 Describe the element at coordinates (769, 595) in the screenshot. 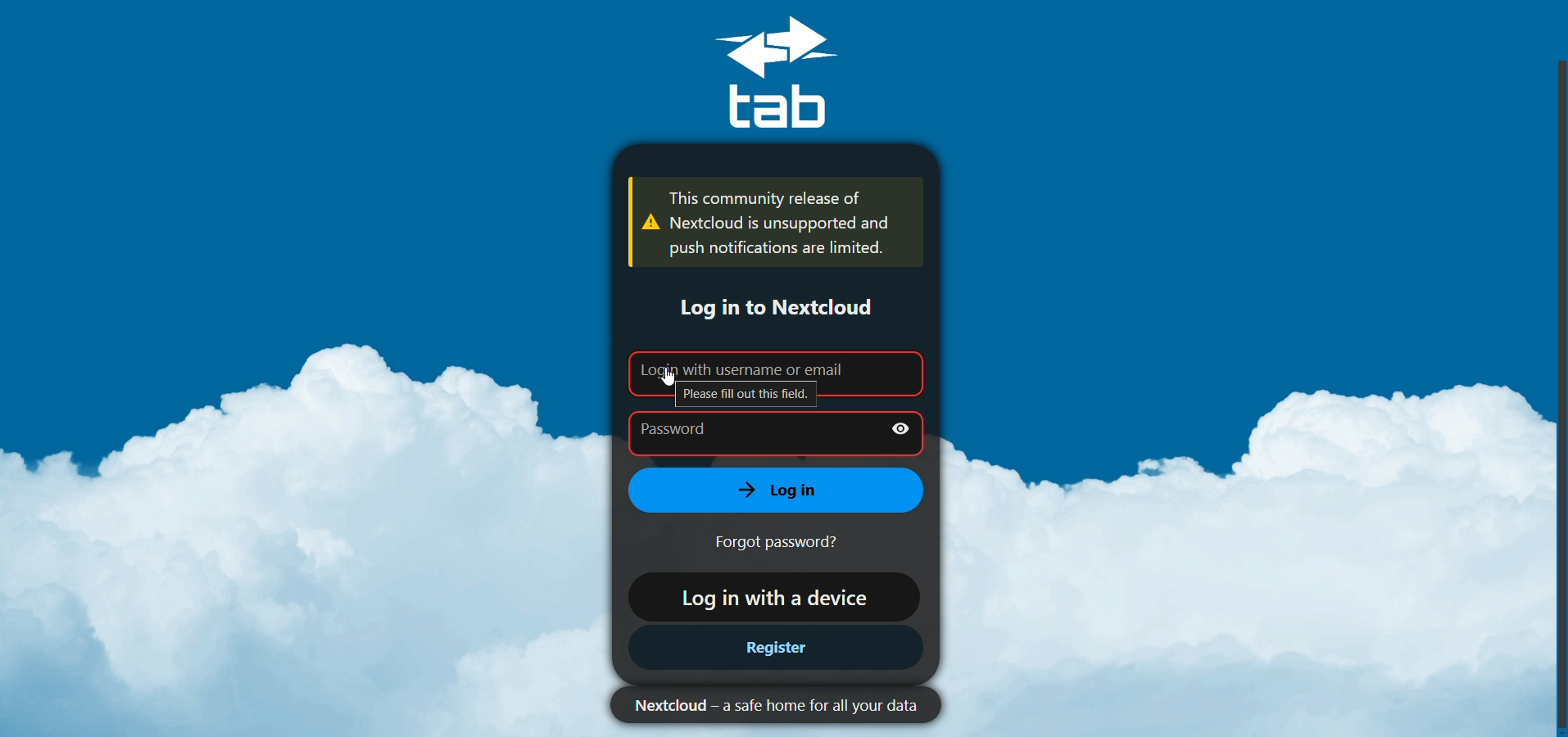

I see `Log in with a device` at that location.